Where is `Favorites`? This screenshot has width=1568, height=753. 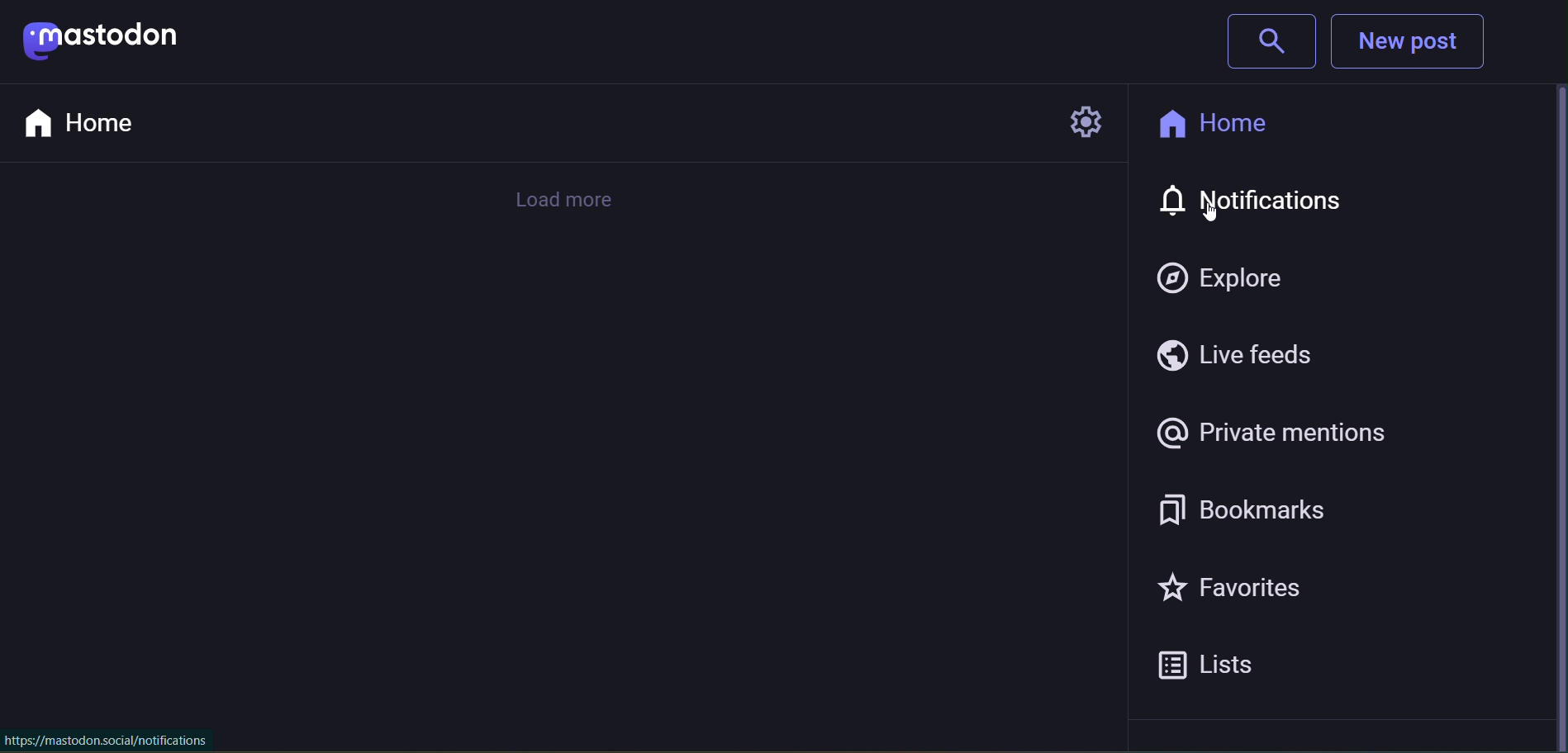
Favorites is located at coordinates (1247, 590).